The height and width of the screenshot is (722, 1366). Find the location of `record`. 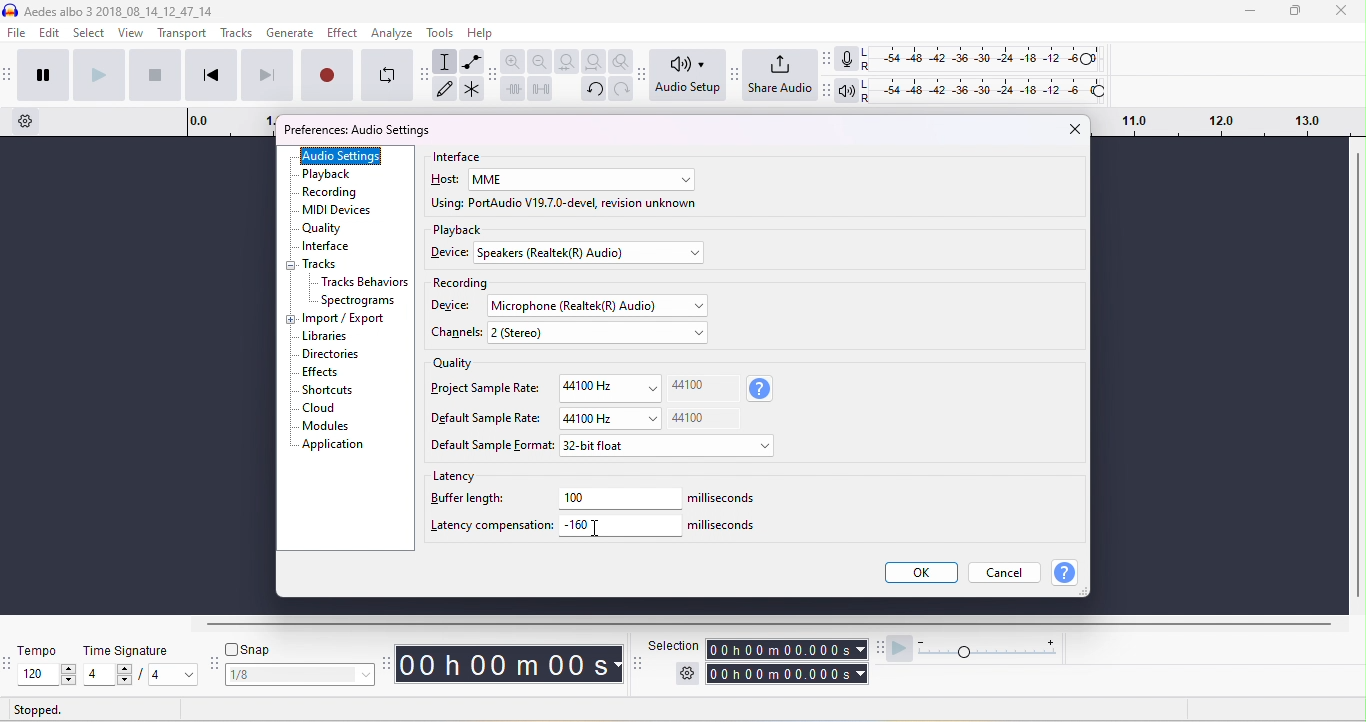

record is located at coordinates (326, 73).